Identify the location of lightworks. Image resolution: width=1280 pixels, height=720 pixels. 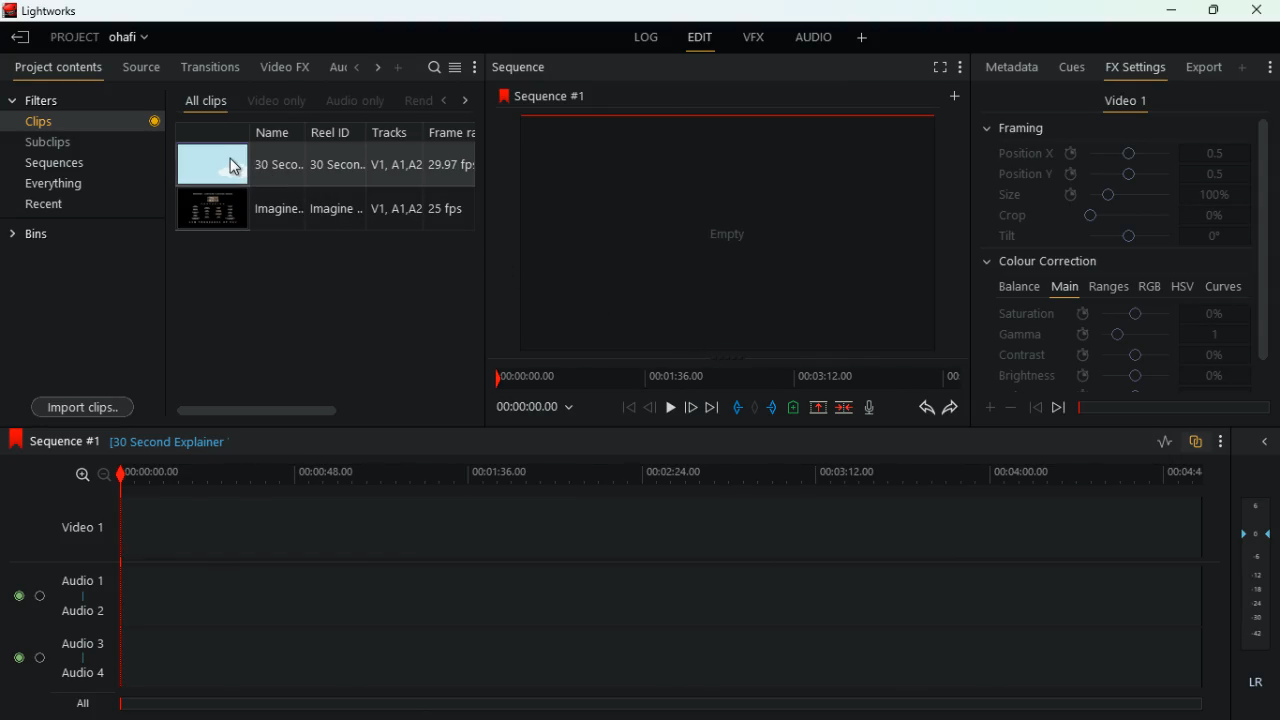
(42, 10).